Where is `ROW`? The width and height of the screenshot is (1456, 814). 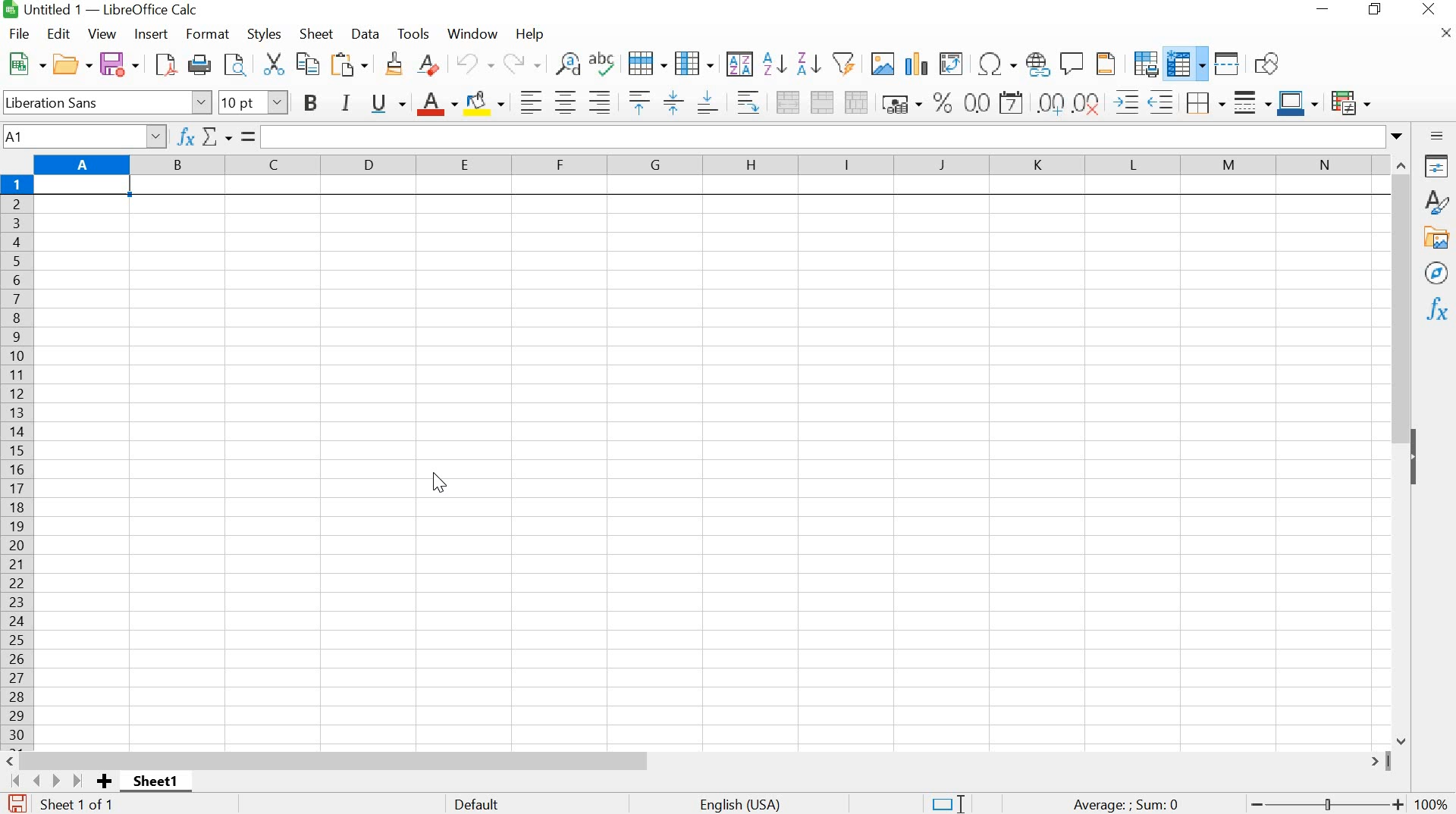
ROW is located at coordinates (650, 62).